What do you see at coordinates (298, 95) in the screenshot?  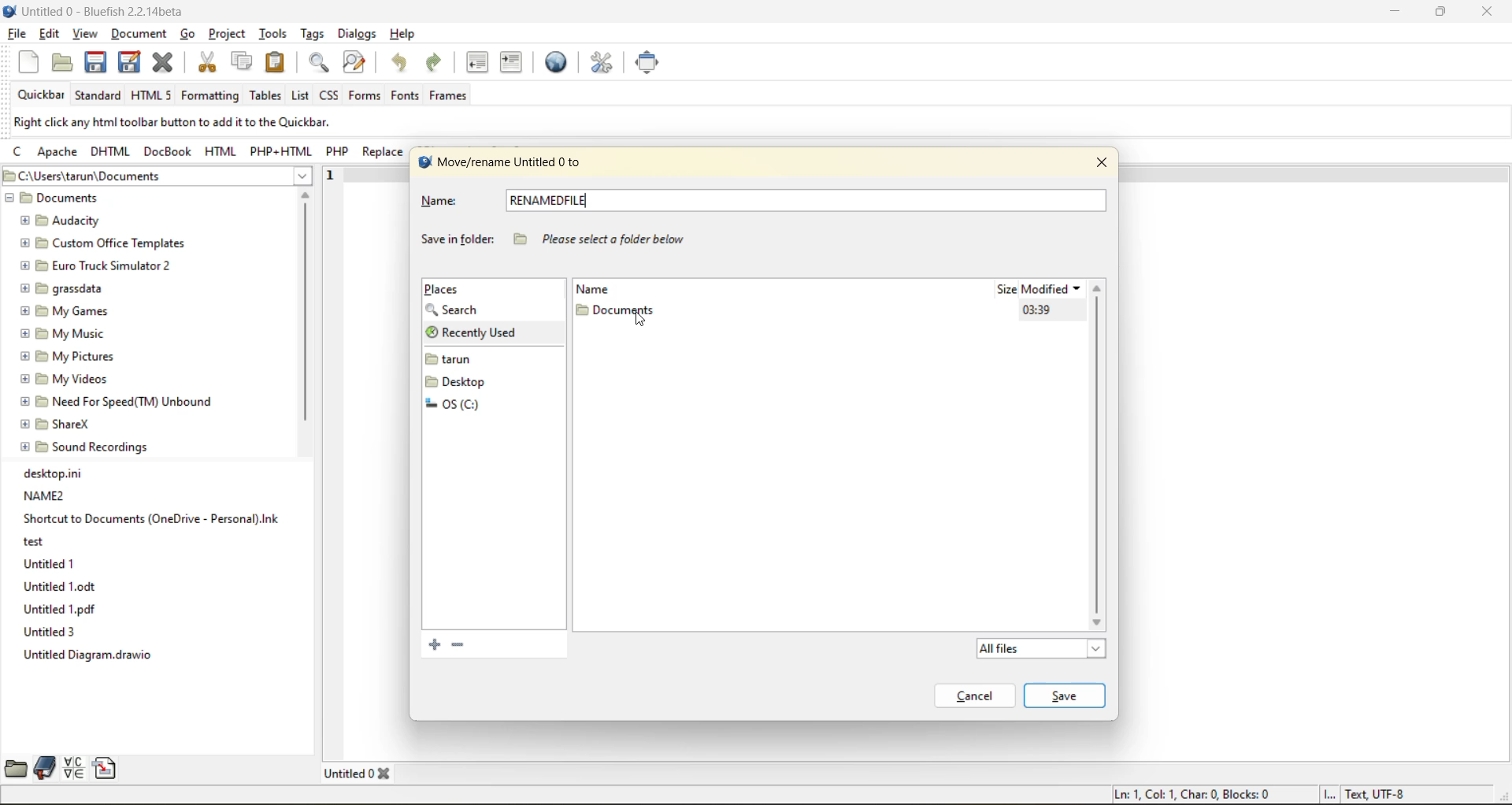 I see `list` at bounding box center [298, 95].